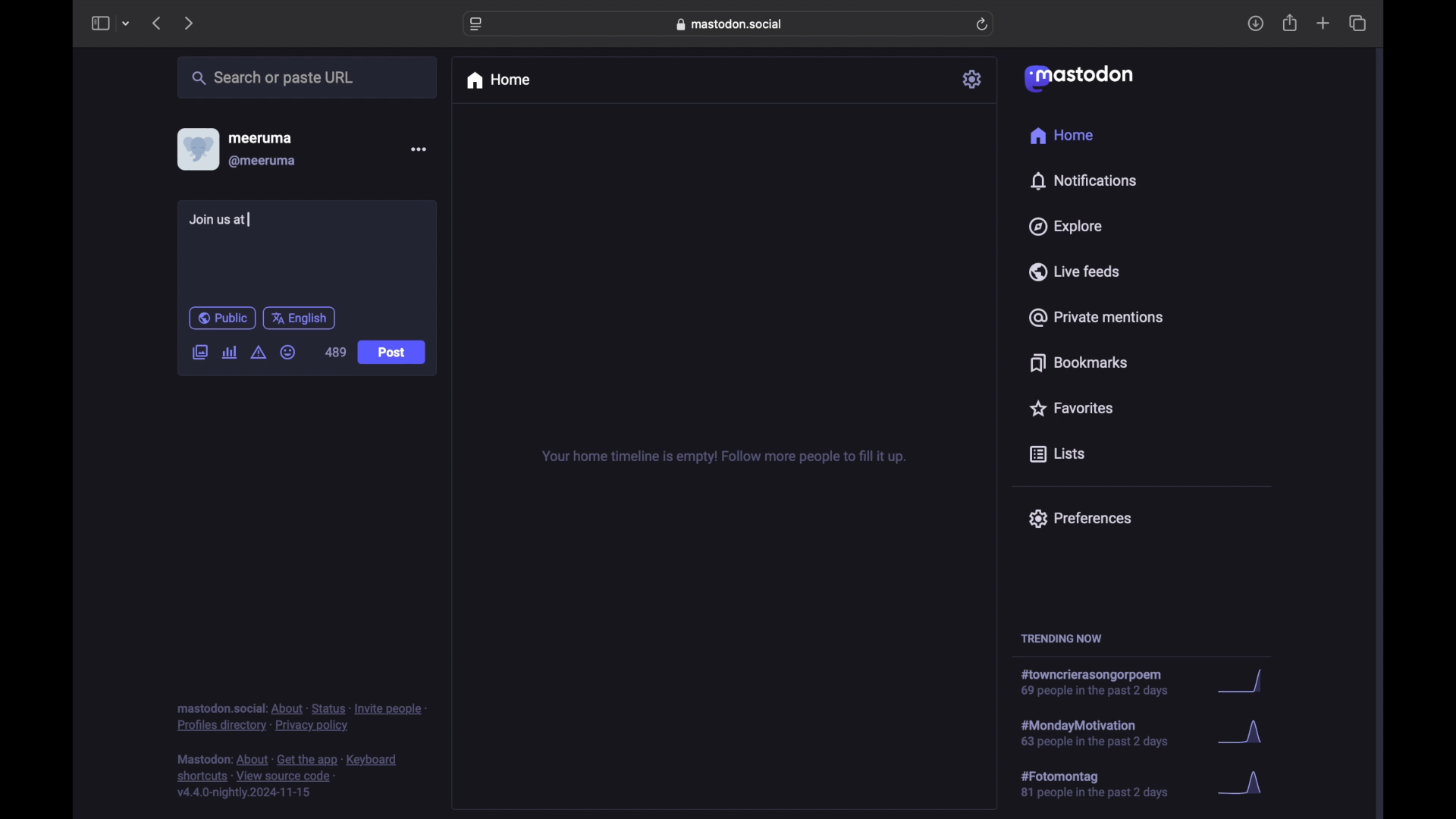 The image size is (1456, 819). I want to click on hashtag trend, so click(1105, 732).